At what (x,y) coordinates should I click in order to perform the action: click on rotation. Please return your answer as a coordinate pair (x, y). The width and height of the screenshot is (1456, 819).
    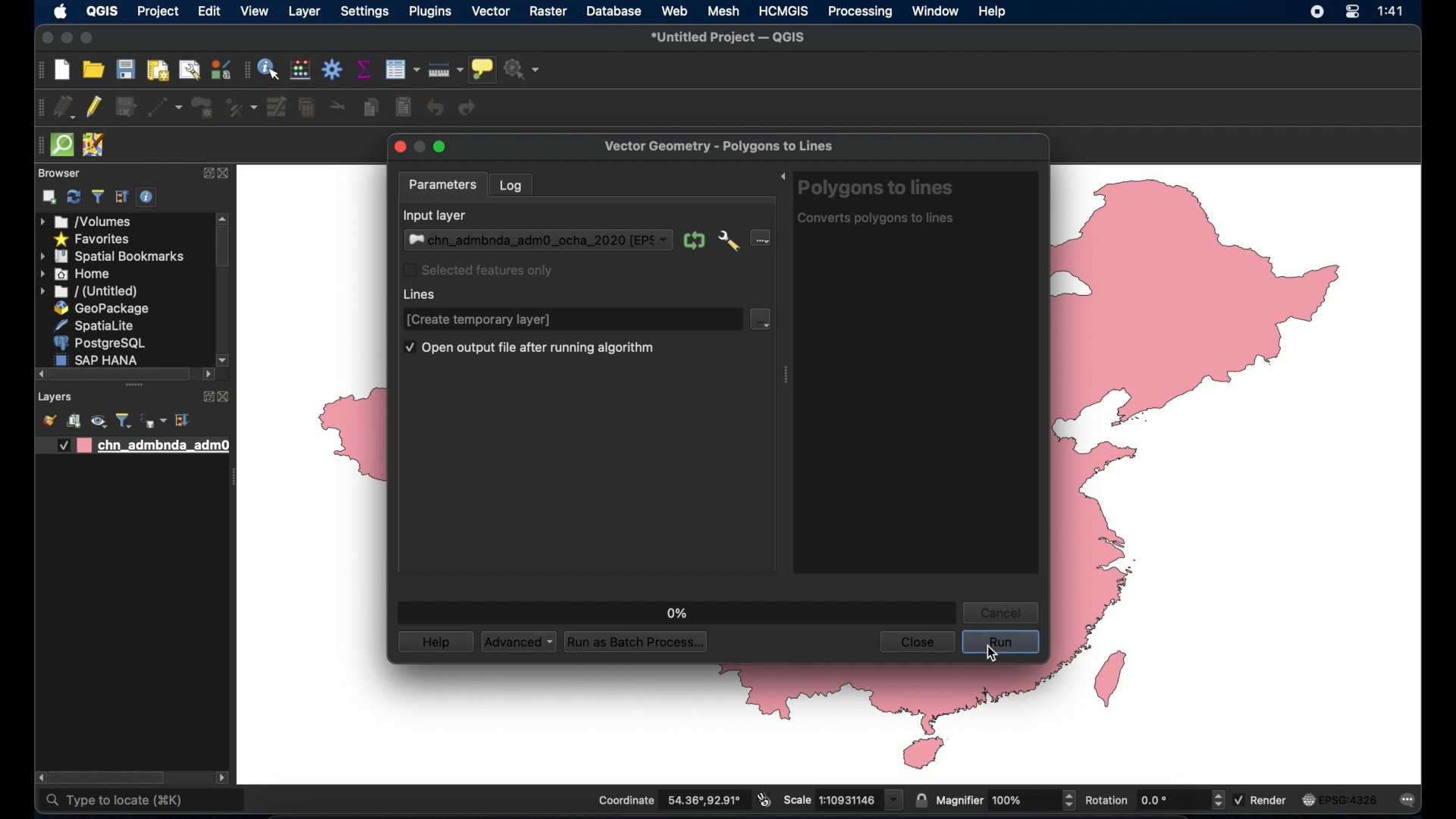
    Looking at the image, I should click on (1153, 799).